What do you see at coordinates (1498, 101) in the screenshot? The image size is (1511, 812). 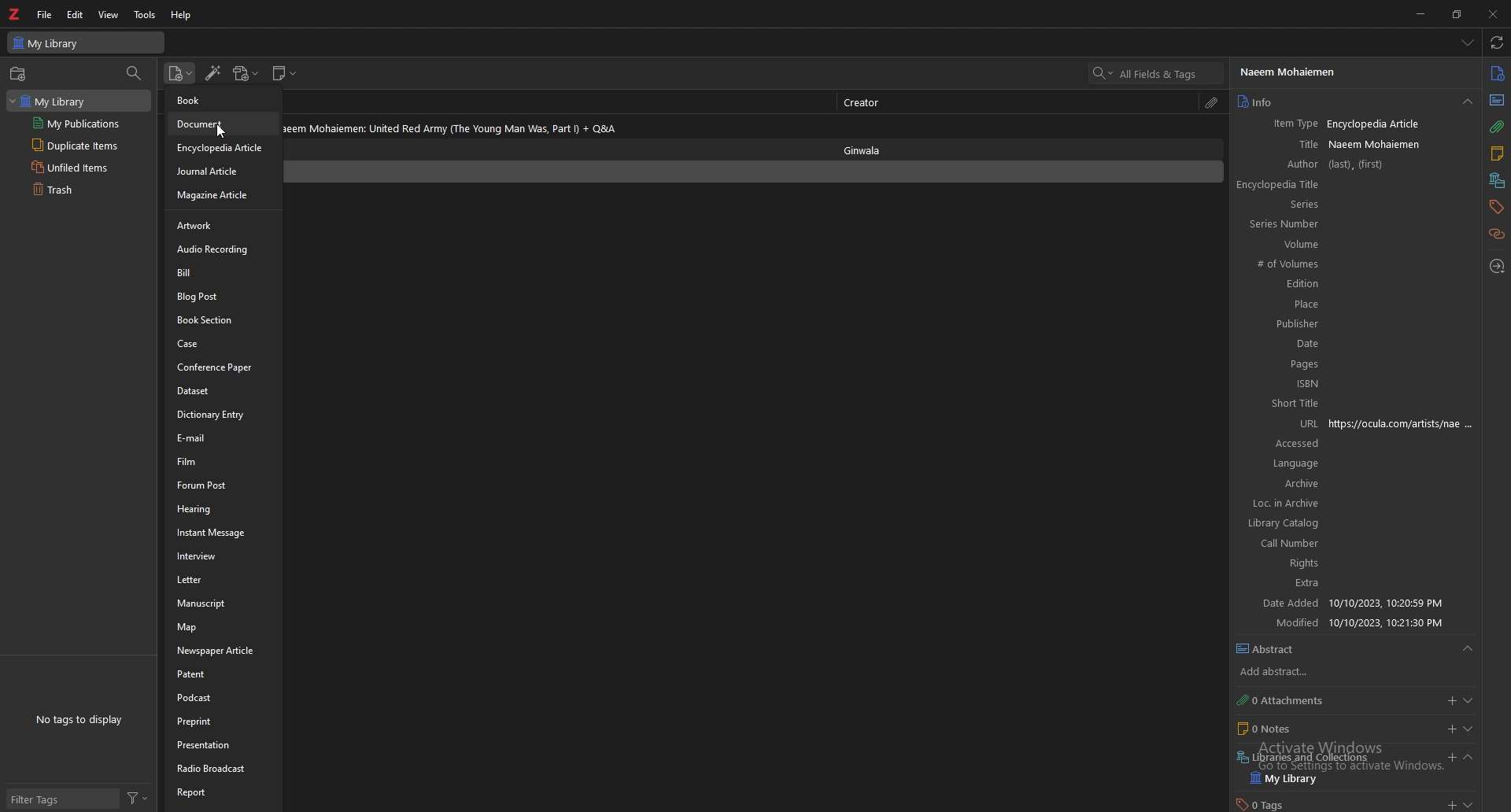 I see `Type` at bounding box center [1498, 101].